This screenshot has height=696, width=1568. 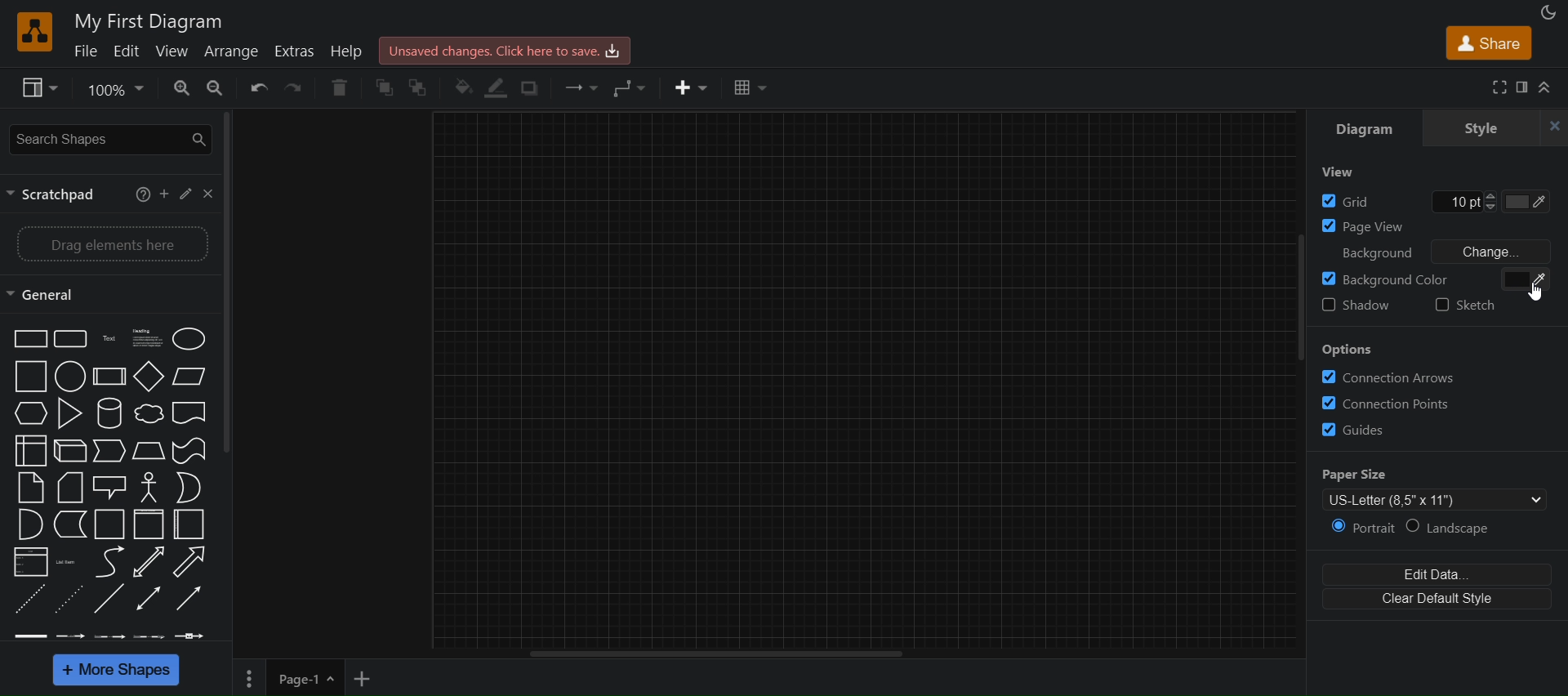 I want to click on logo, so click(x=35, y=30).